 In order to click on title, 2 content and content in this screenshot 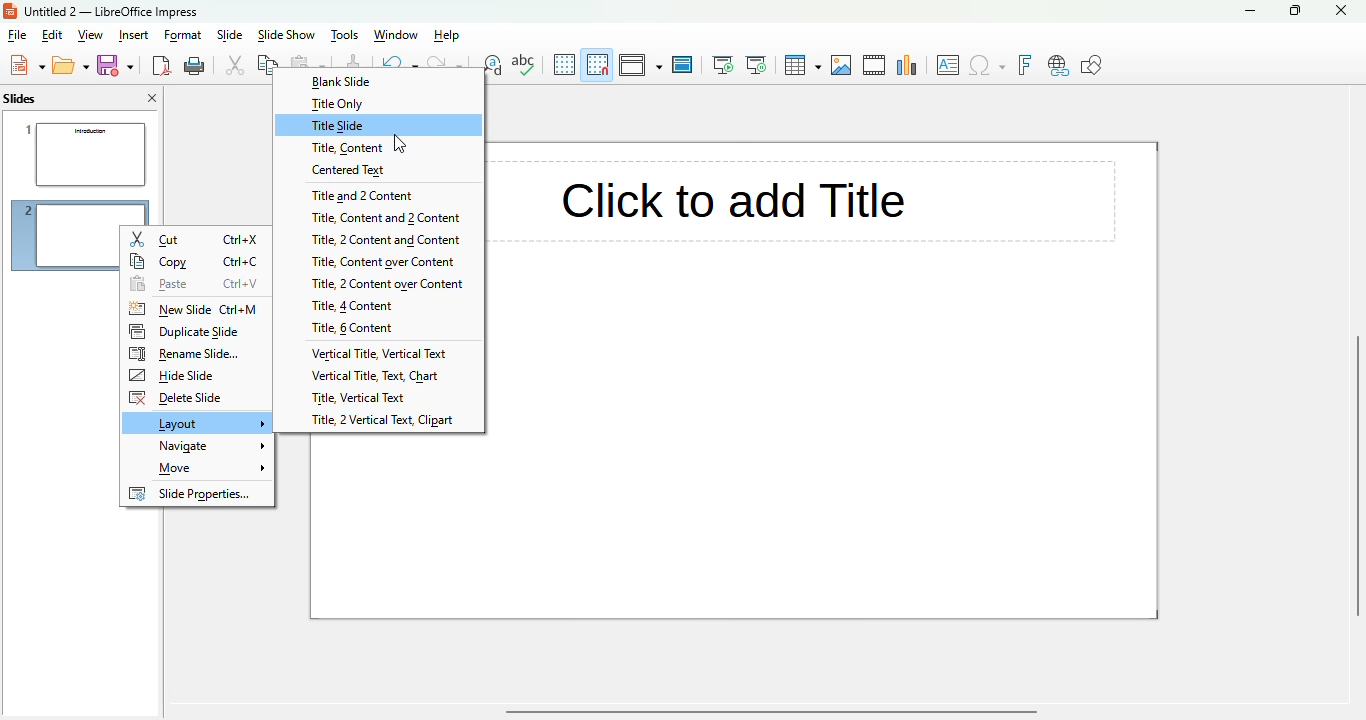, I will do `click(379, 240)`.